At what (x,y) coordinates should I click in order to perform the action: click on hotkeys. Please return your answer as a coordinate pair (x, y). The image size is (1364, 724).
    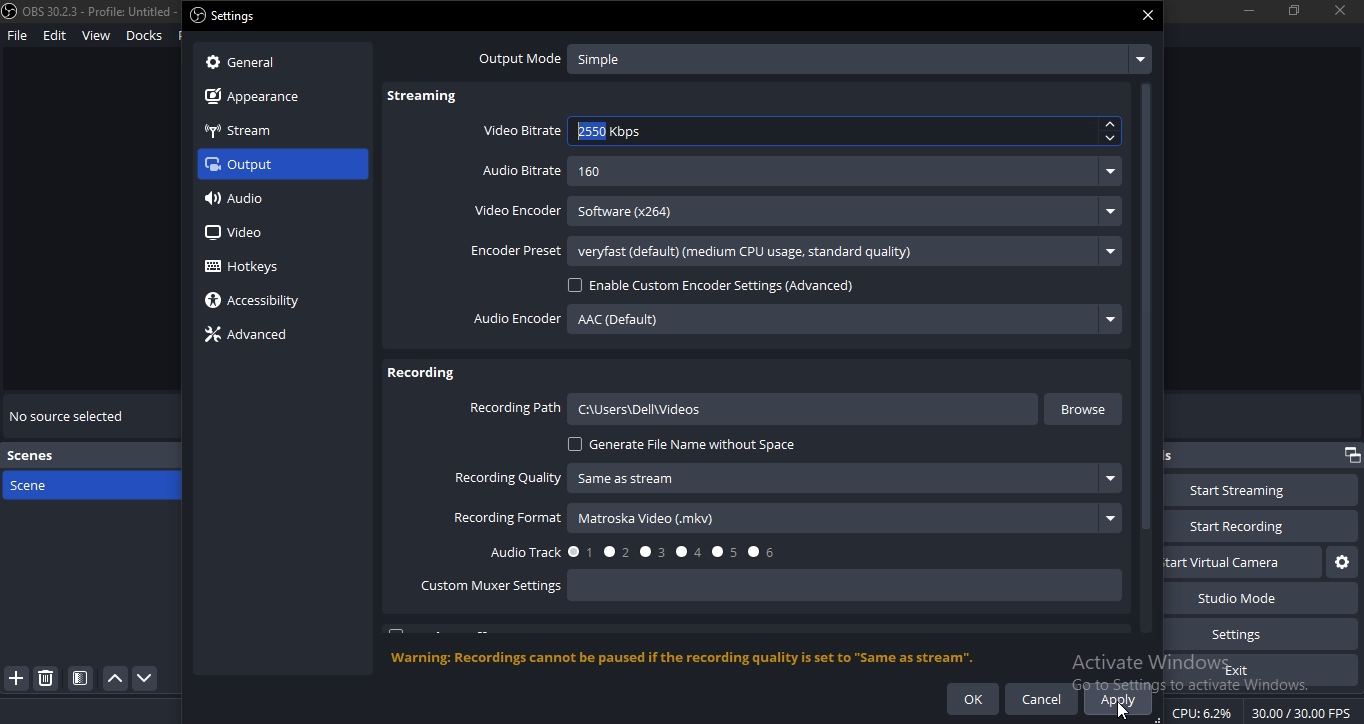
    Looking at the image, I should click on (253, 267).